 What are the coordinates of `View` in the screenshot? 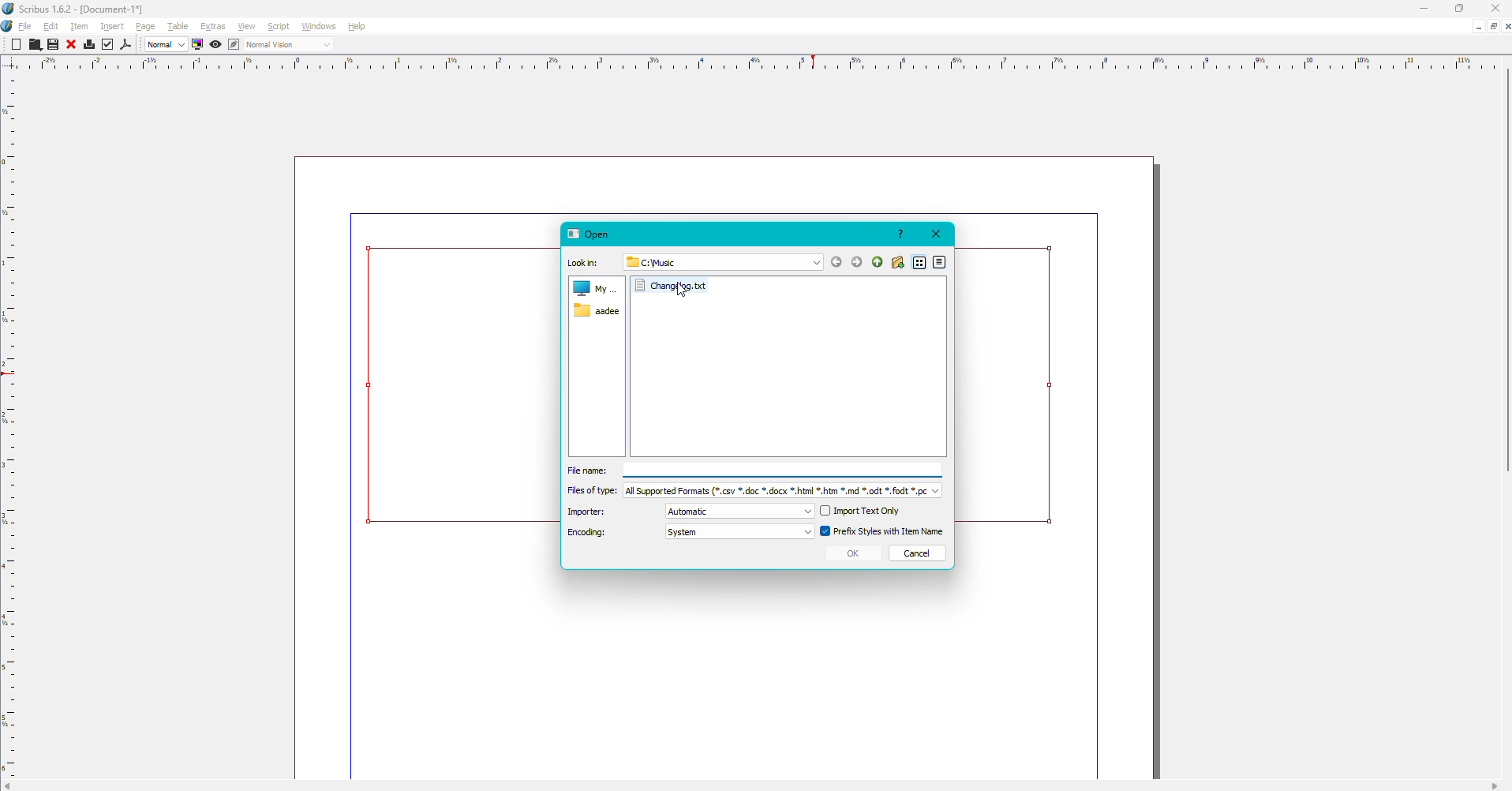 It's located at (246, 27).